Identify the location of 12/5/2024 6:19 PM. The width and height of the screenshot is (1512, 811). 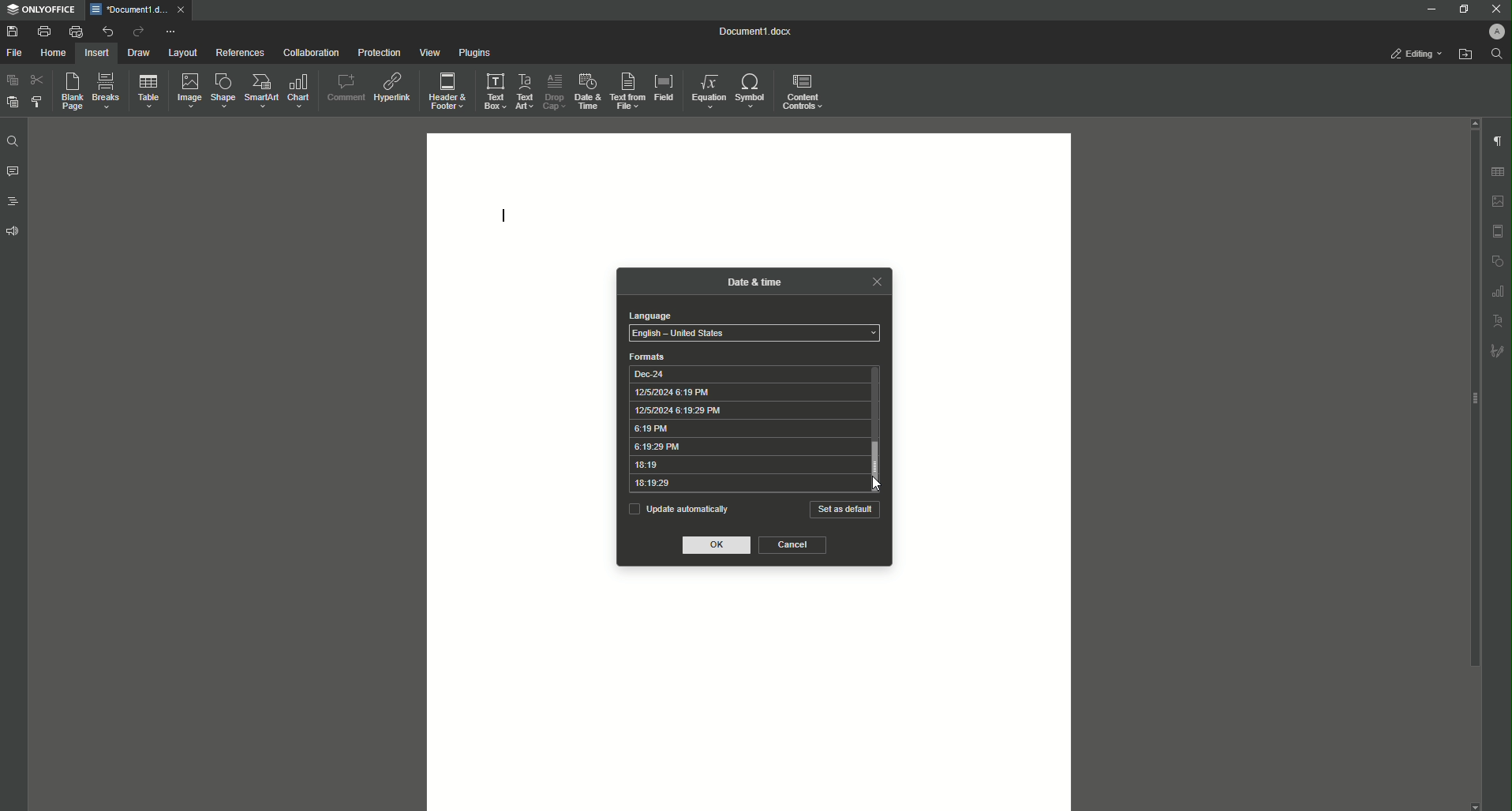
(747, 392).